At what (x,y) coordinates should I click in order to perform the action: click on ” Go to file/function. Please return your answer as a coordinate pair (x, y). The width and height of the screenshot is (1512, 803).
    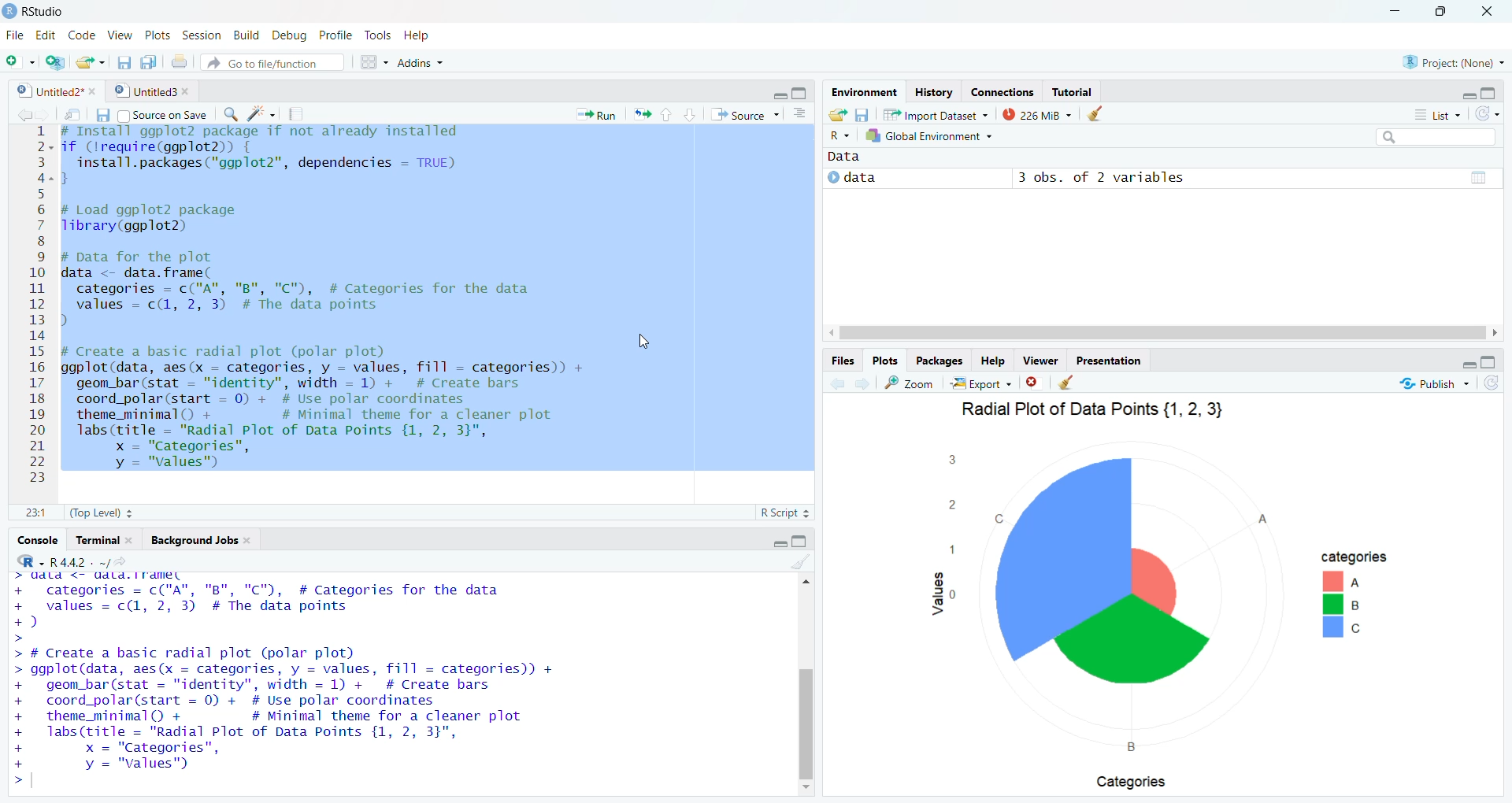
    Looking at the image, I should click on (276, 62).